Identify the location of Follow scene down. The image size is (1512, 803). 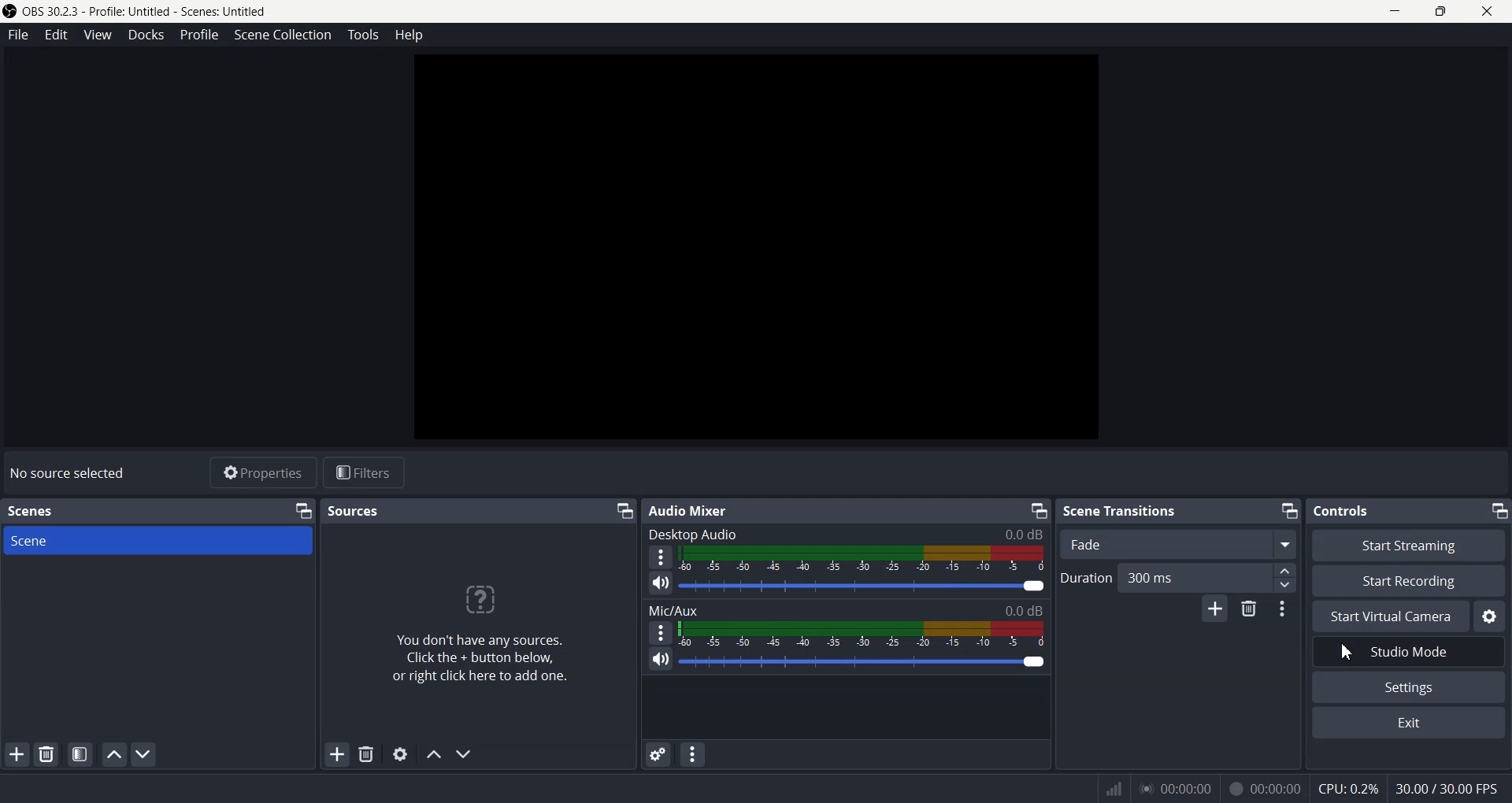
(144, 754).